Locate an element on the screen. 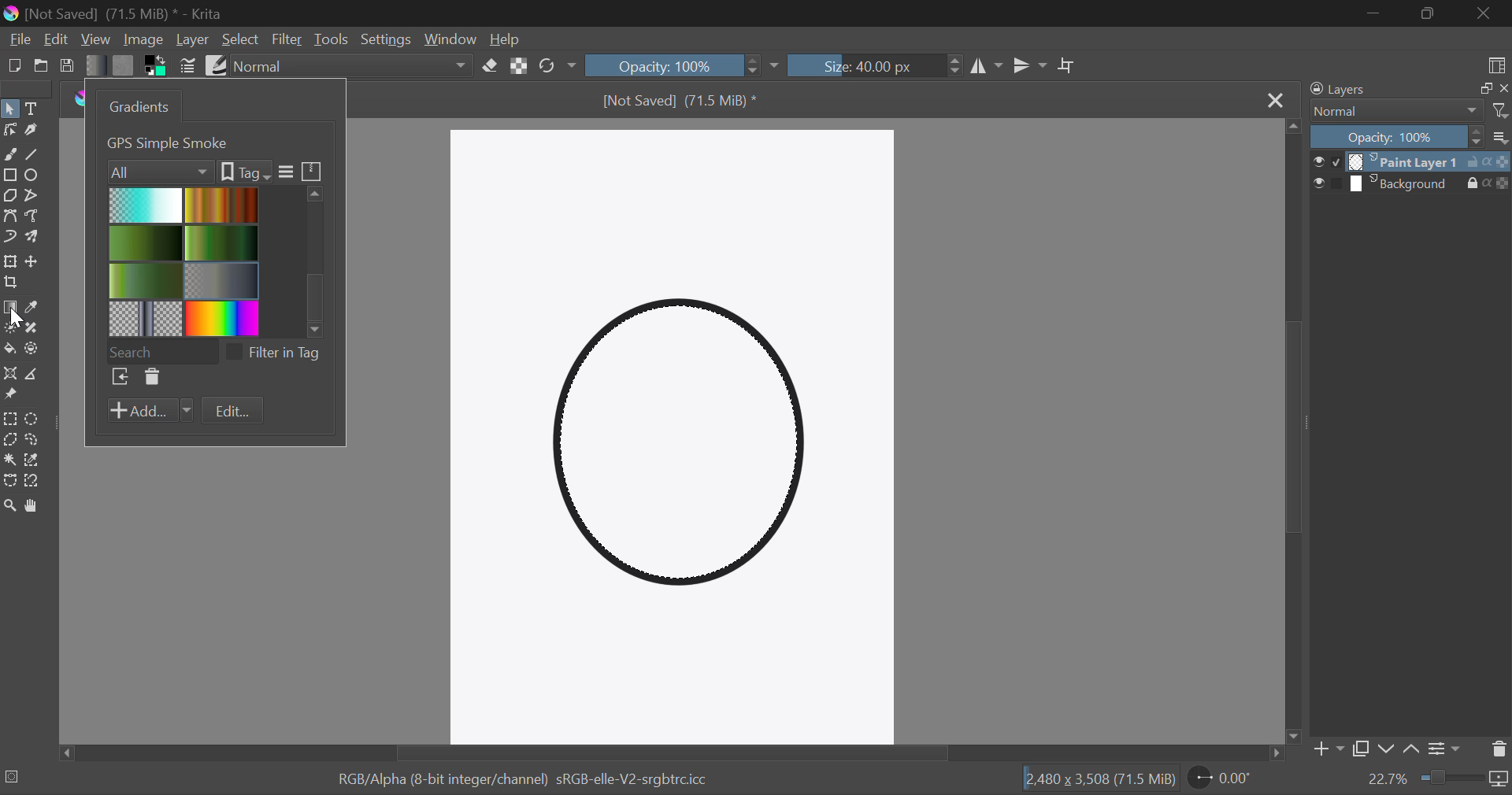 The image size is (1512, 795). File is located at coordinates (18, 39).